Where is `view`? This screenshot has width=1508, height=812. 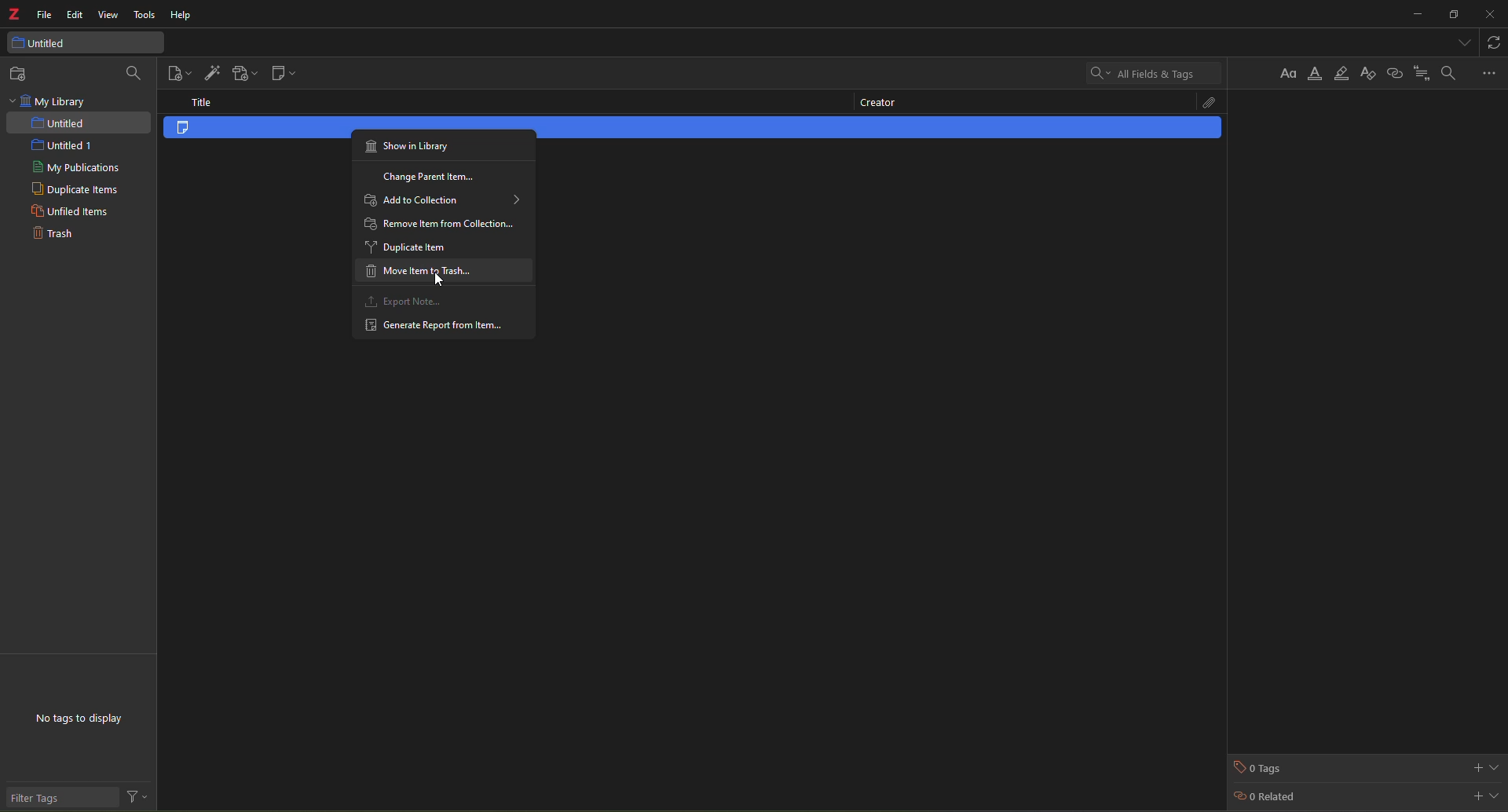
view is located at coordinates (108, 15).